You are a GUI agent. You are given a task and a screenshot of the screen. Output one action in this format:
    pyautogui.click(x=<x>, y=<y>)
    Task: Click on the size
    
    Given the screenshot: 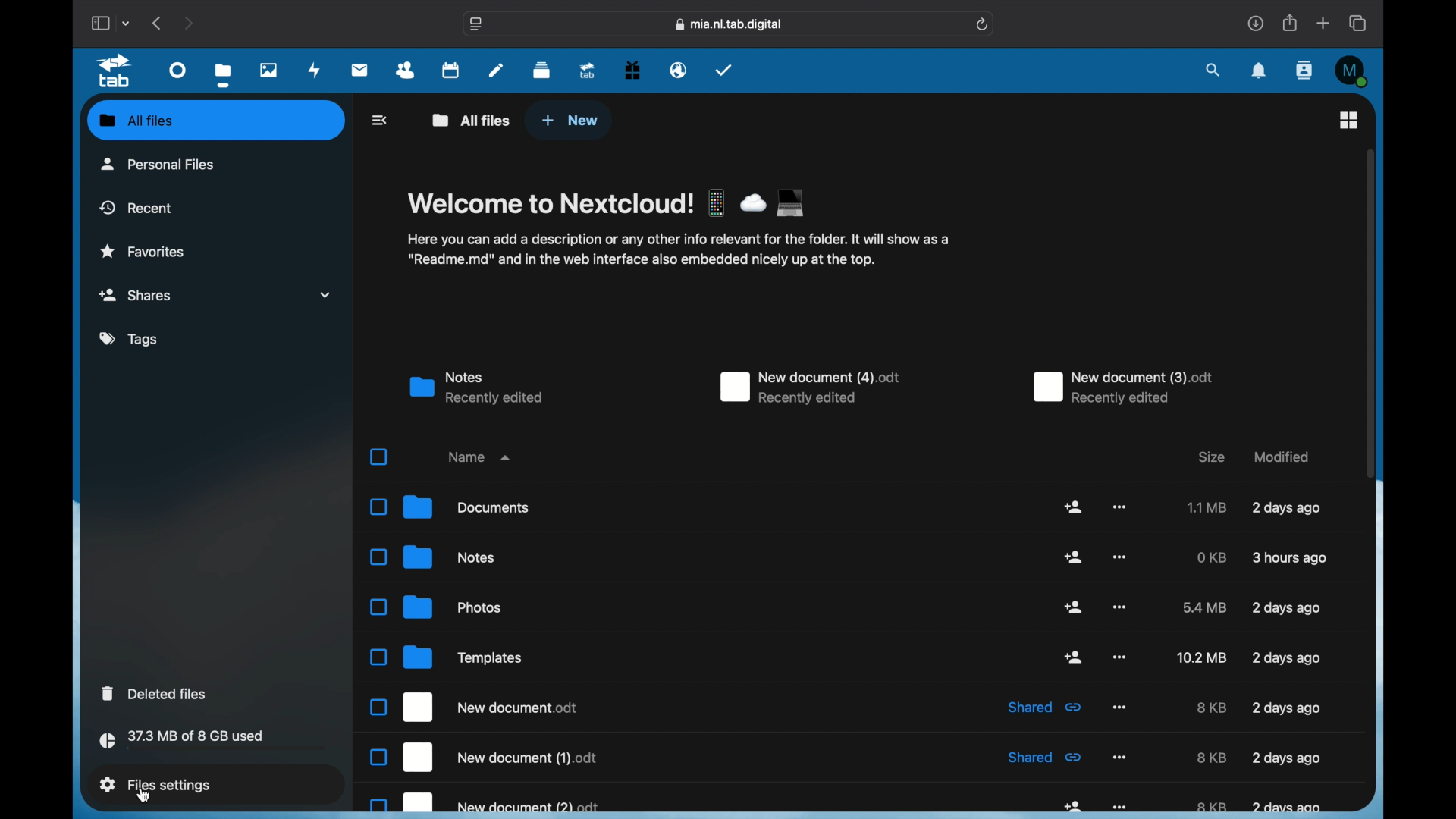 What is the action you would take?
    pyautogui.click(x=1211, y=807)
    